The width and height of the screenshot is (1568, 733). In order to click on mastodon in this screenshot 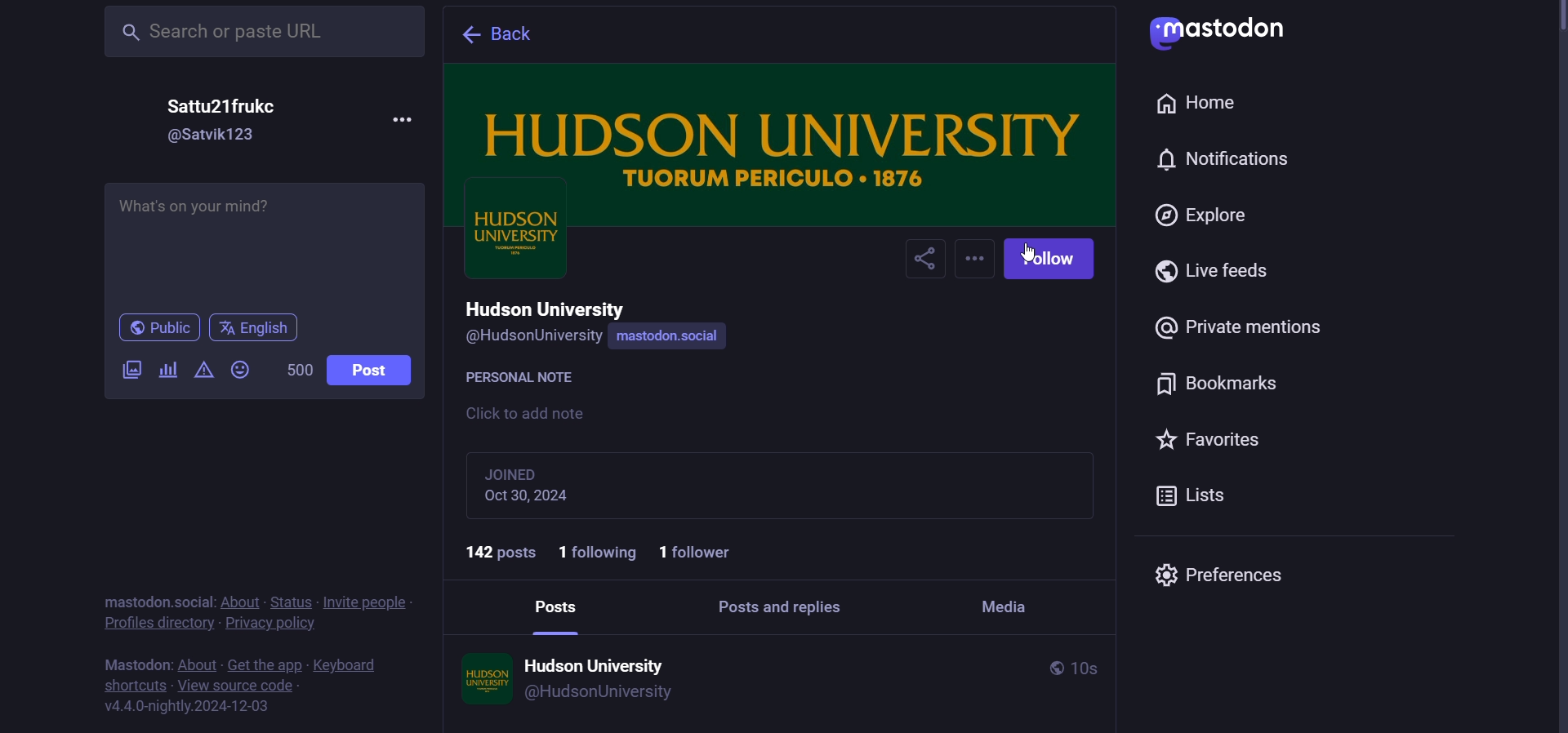, I will do `click(1212, 28)`.